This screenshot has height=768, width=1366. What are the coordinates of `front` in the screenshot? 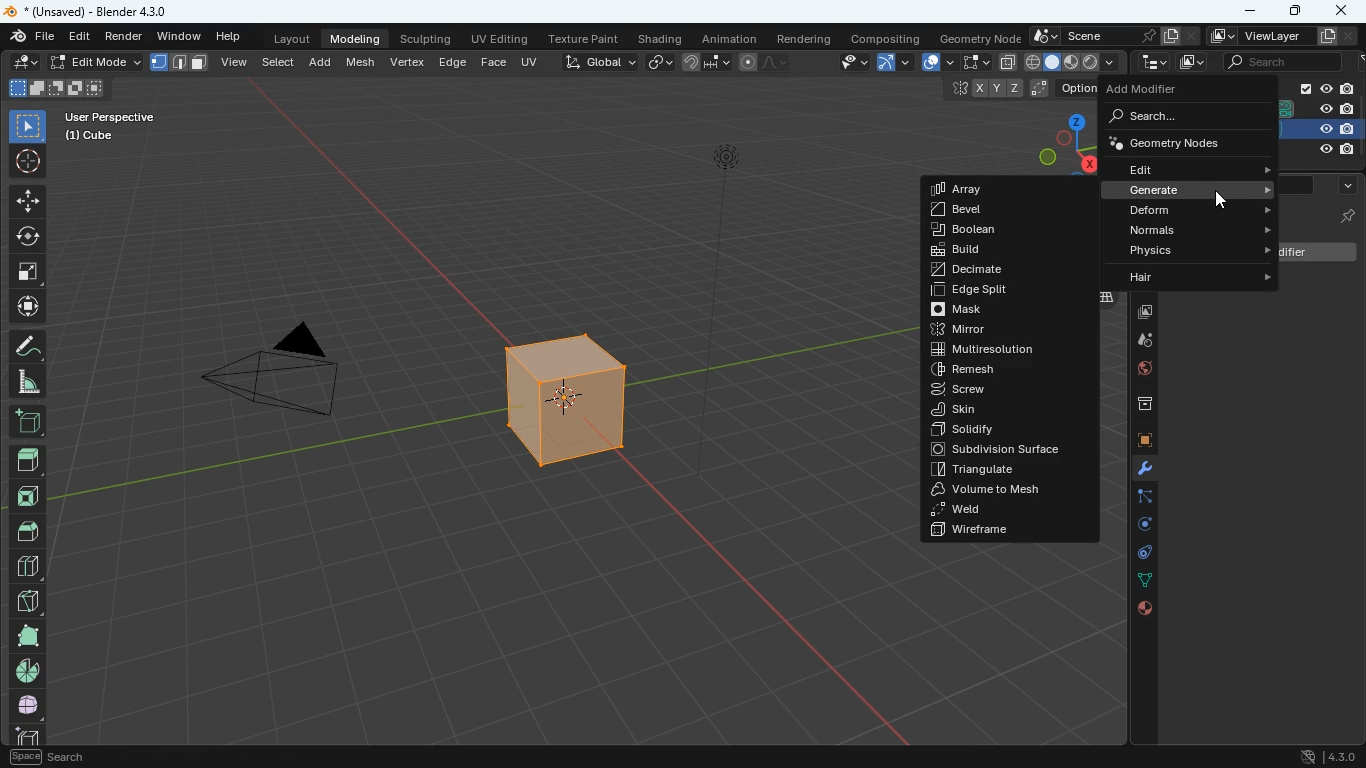 It's located at (28, 500).